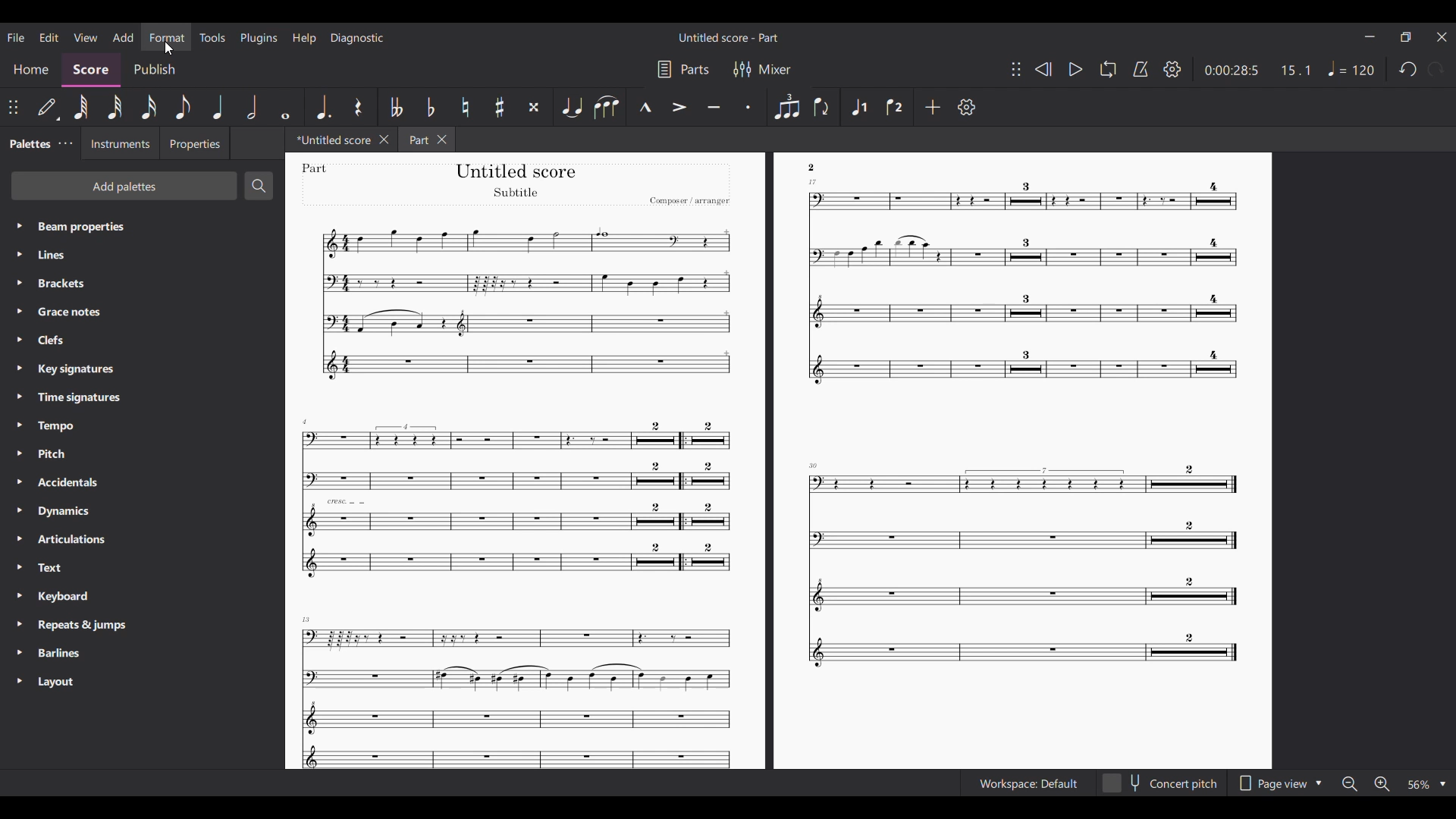 This screenshot has width=1456, height=819. I want to click on , so click(816, 168).